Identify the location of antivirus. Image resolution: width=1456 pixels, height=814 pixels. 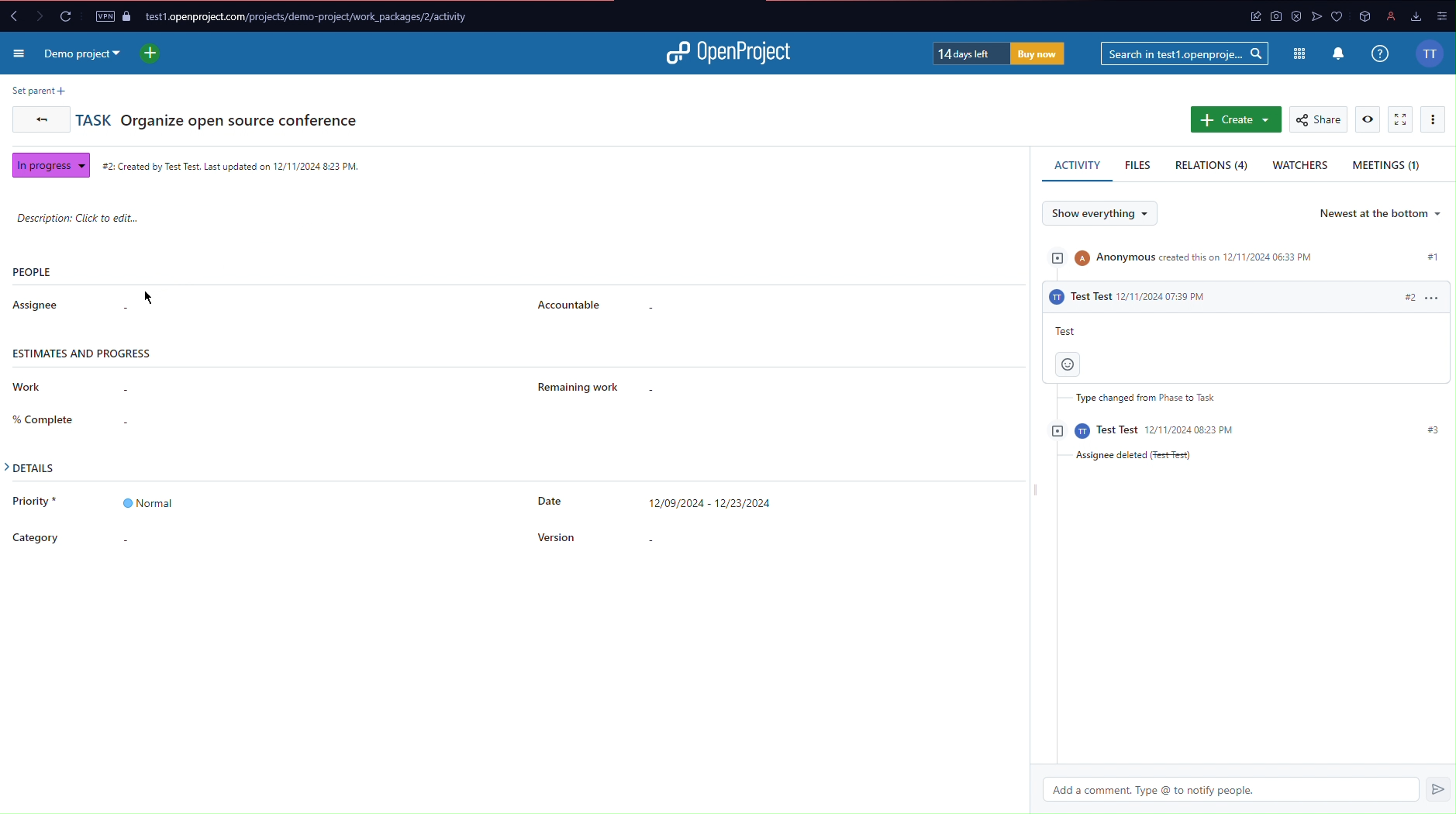
(1290, 16).